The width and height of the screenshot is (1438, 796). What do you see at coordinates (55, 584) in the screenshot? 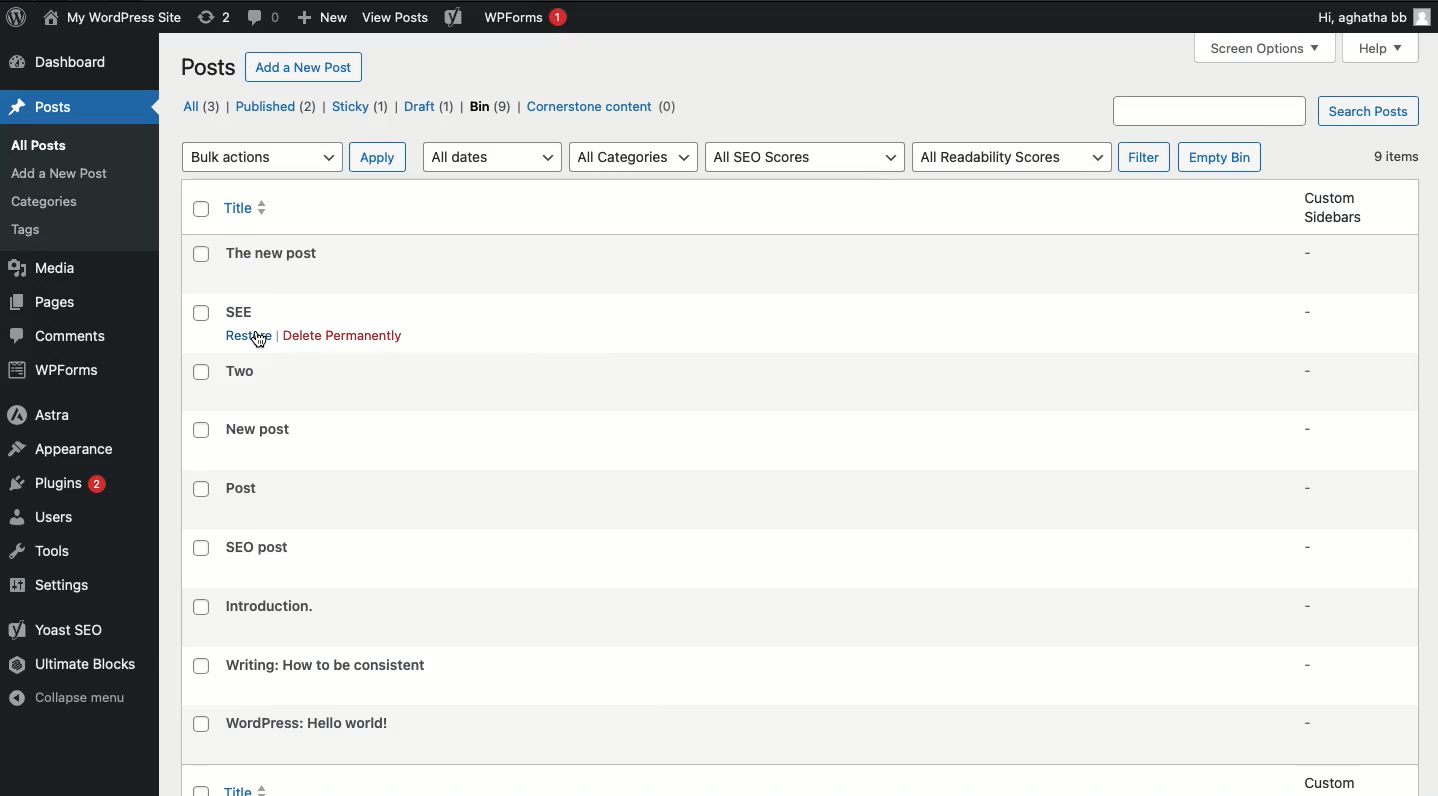
I see `Settings` at bounding box center [55, 584].